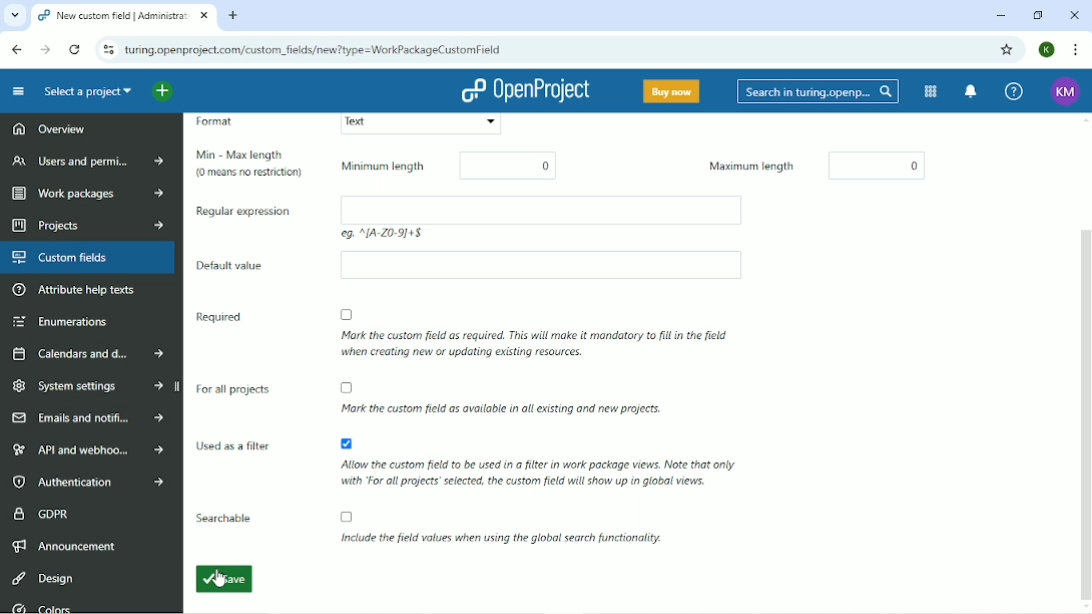 The height and width of the screenshot is (614, 1092). Describe the element at coordinates (532, 336) in the screenshot. I see `Mark the custom field as required. This will make it mandatory to fill in the field when creating new or updating exiting resources` at that location.